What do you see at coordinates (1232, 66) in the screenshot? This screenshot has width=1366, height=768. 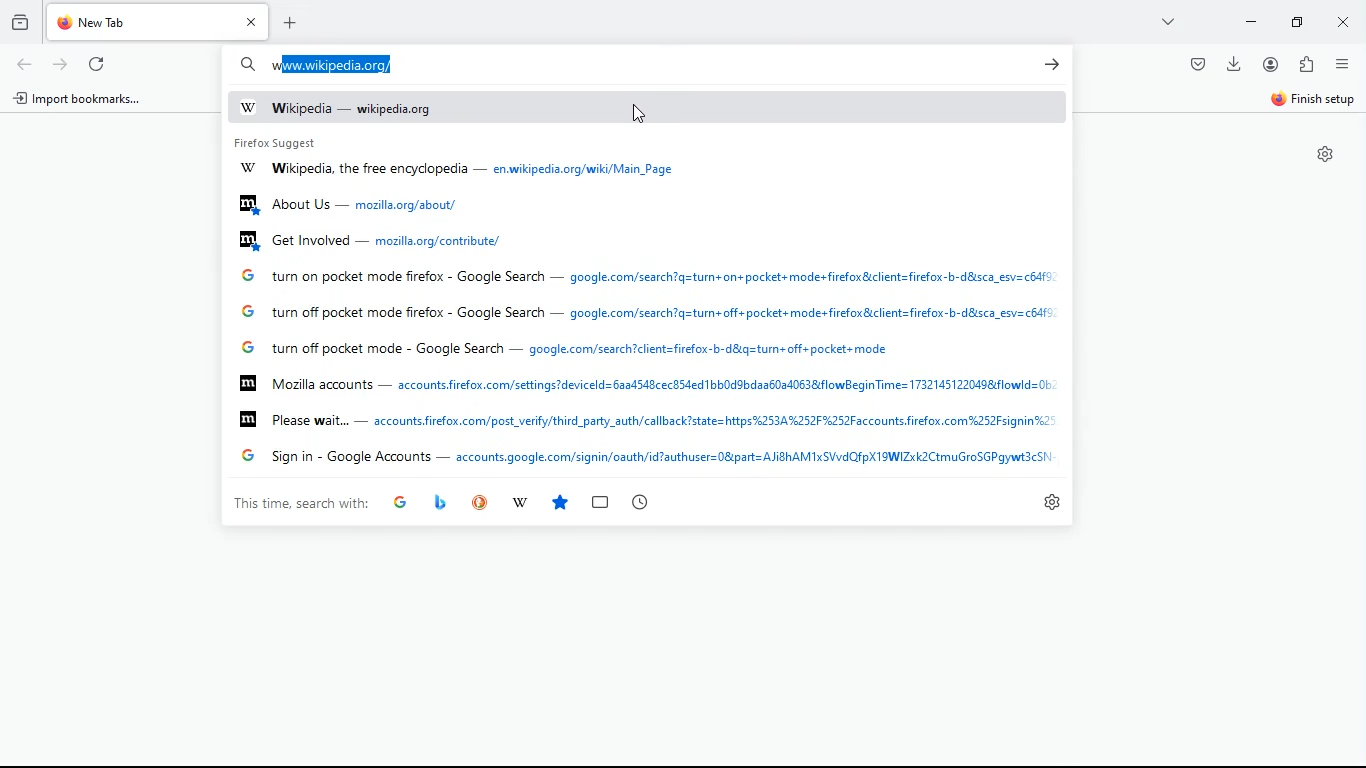 I see `download` at bounding box center [1232, 66].